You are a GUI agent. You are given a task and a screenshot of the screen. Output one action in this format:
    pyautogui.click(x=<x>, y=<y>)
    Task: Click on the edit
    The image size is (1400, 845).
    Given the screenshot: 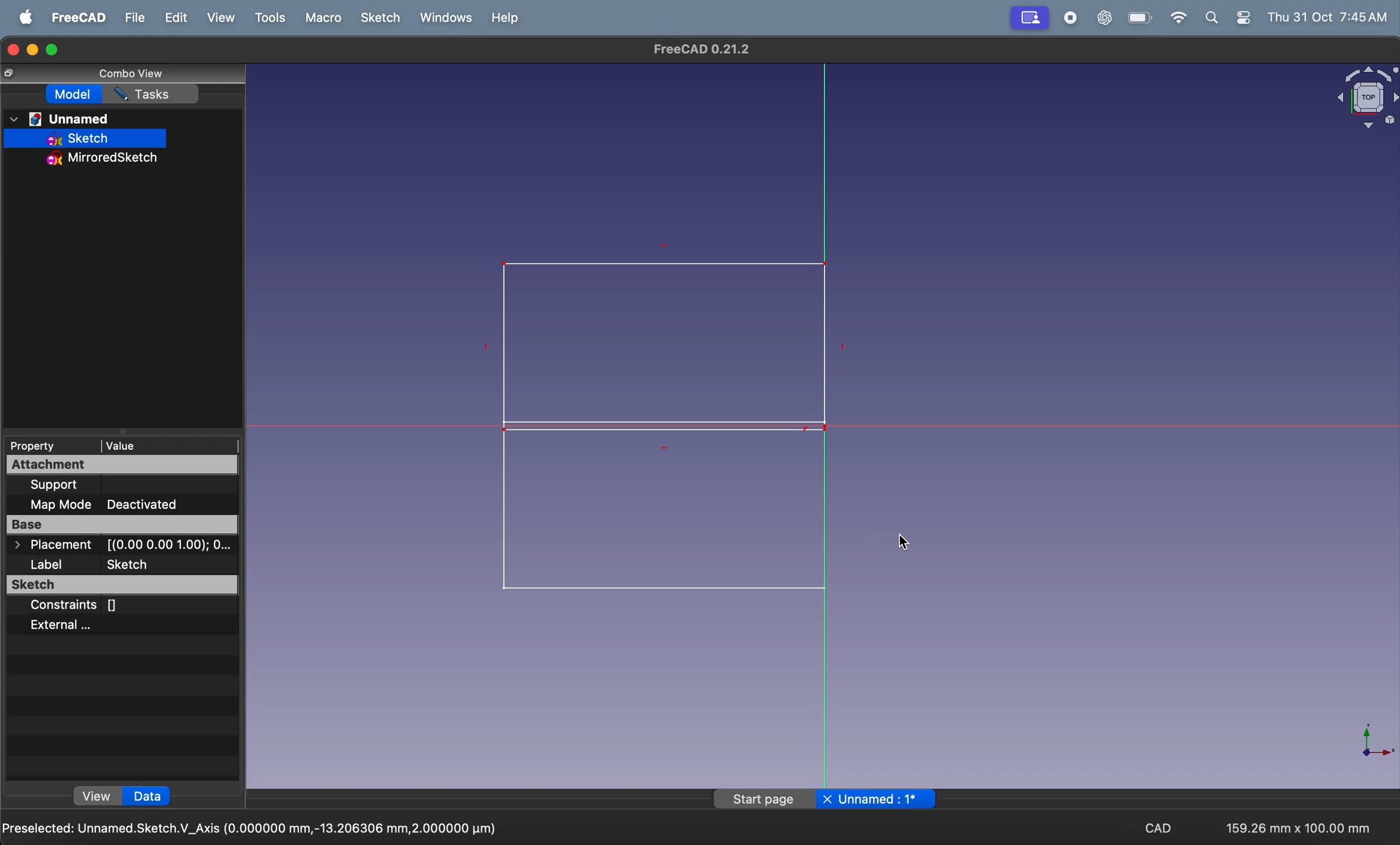 What is the action you would take?
    pyautogui.click(x=171, y=19)
    